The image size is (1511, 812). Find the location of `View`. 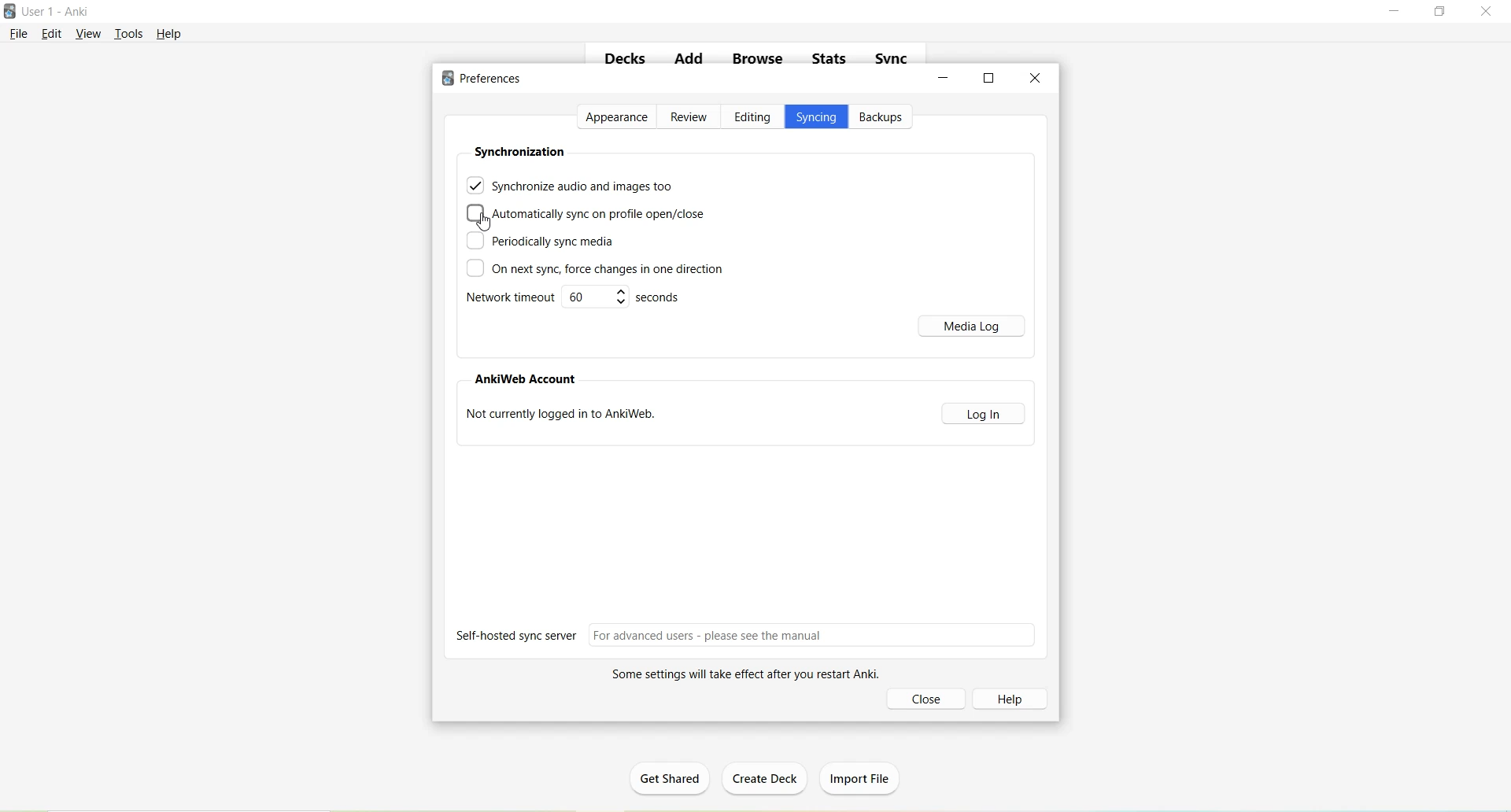

View is located at coordinates (89, 33).